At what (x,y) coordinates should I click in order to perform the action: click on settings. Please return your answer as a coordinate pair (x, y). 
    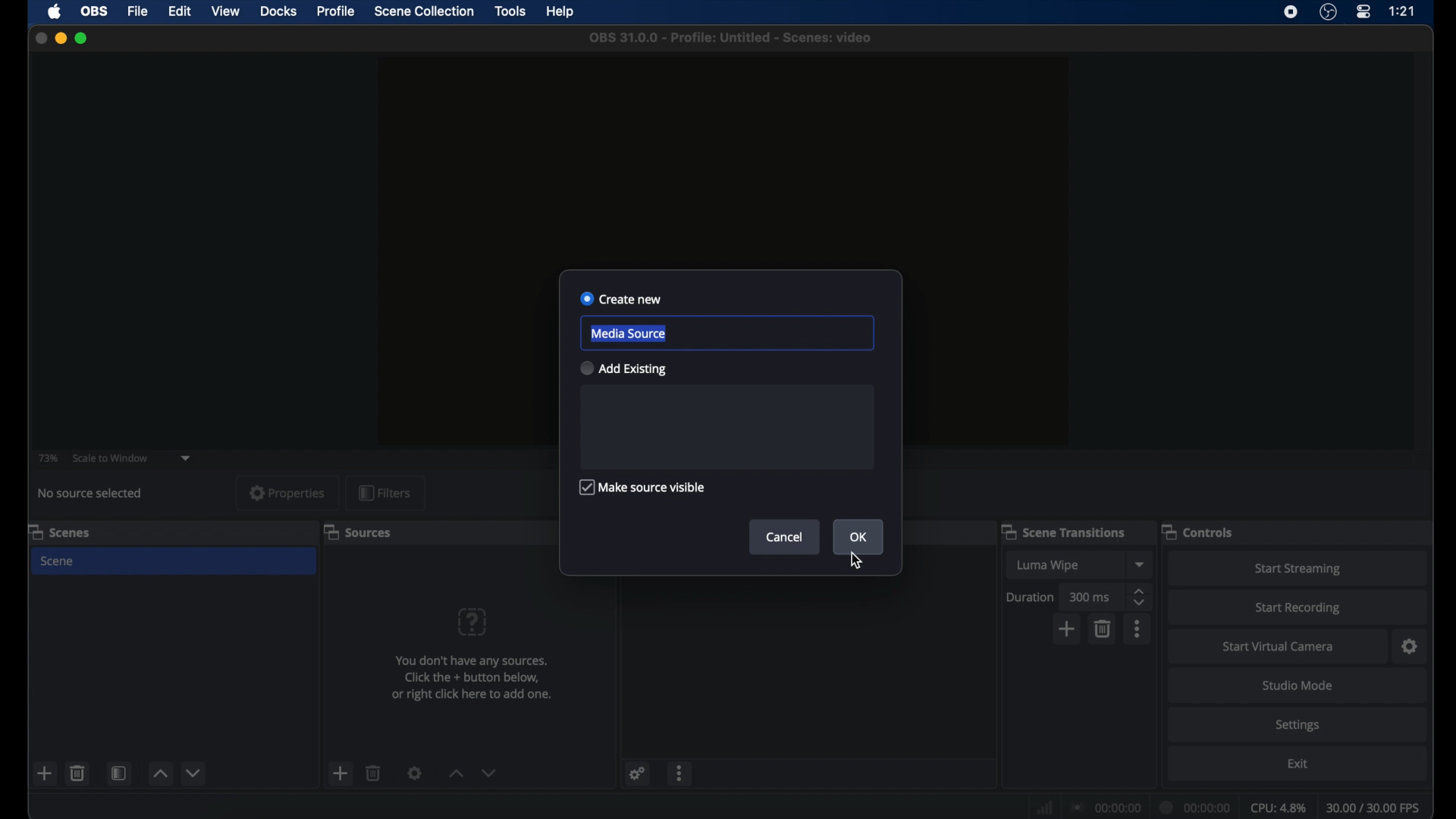
    Looking at the image, I should click on (414, 773).